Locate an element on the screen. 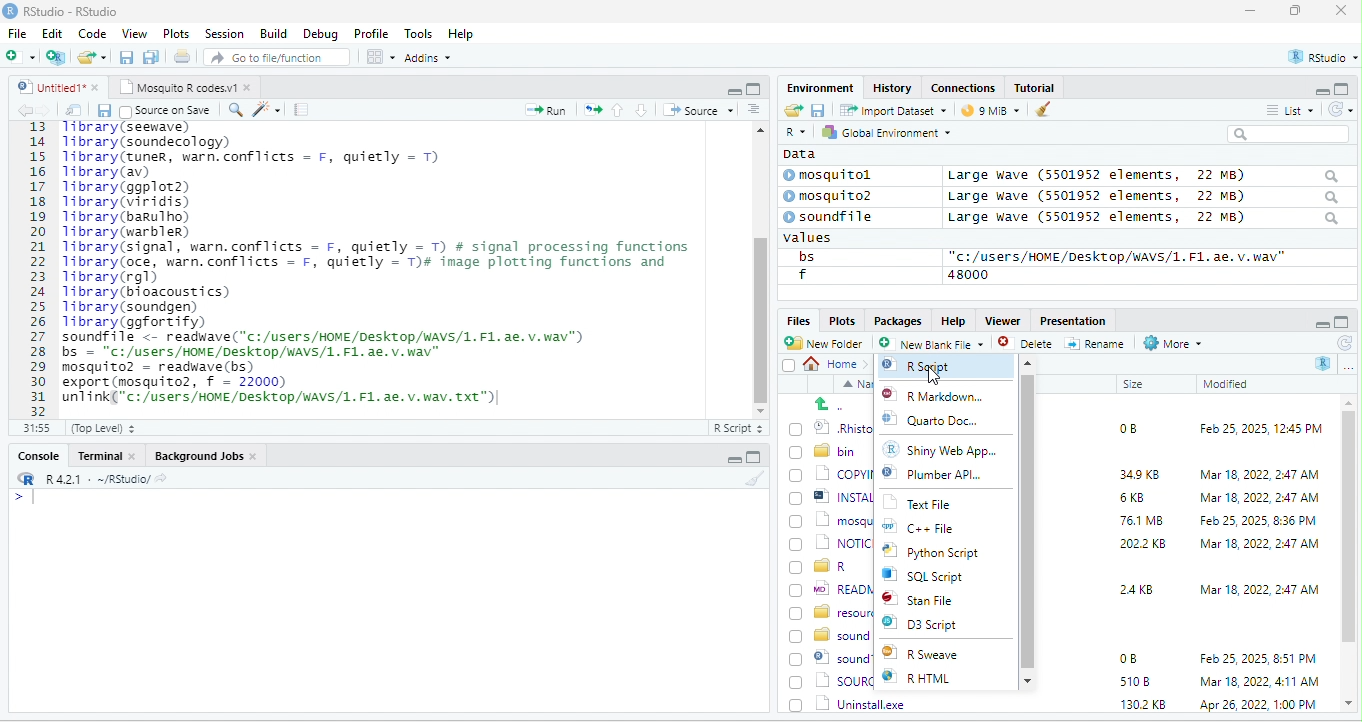  scroll bar is located at coordinates (1029, 520).